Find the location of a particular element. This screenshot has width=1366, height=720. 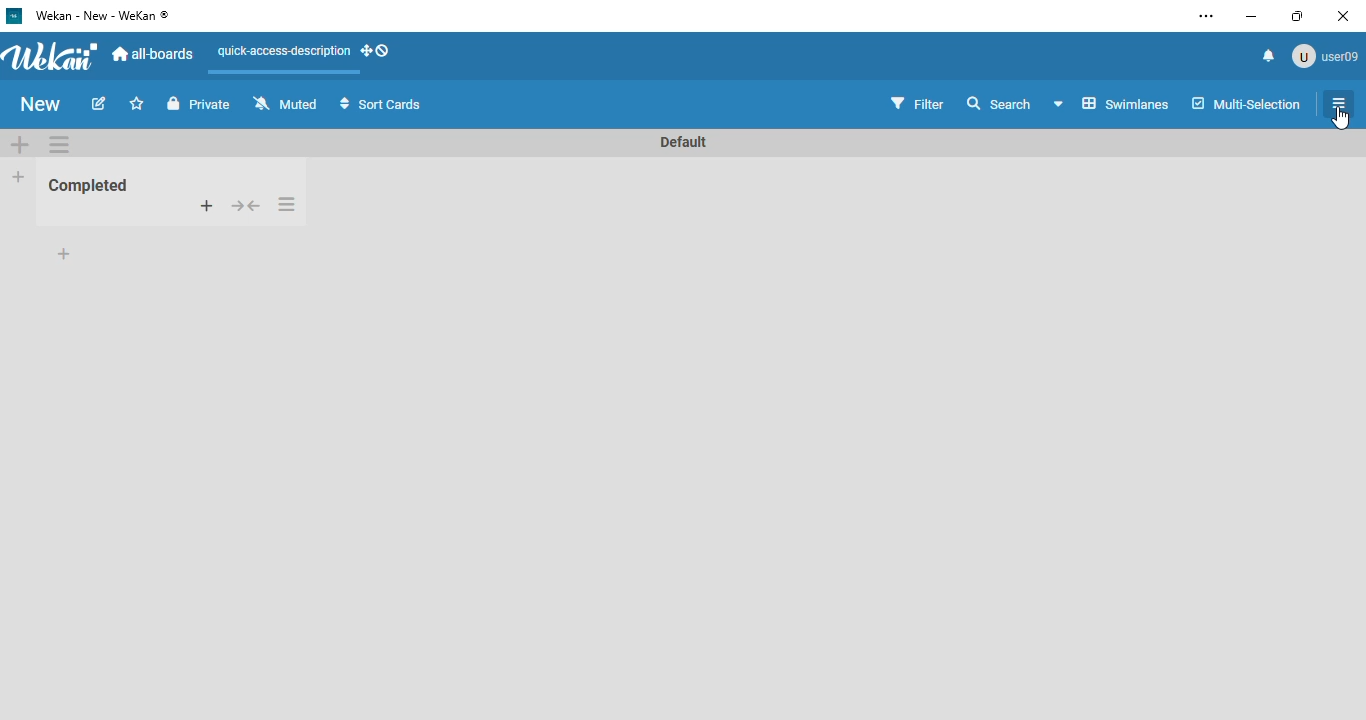

private is located at coordinates (199, 103).